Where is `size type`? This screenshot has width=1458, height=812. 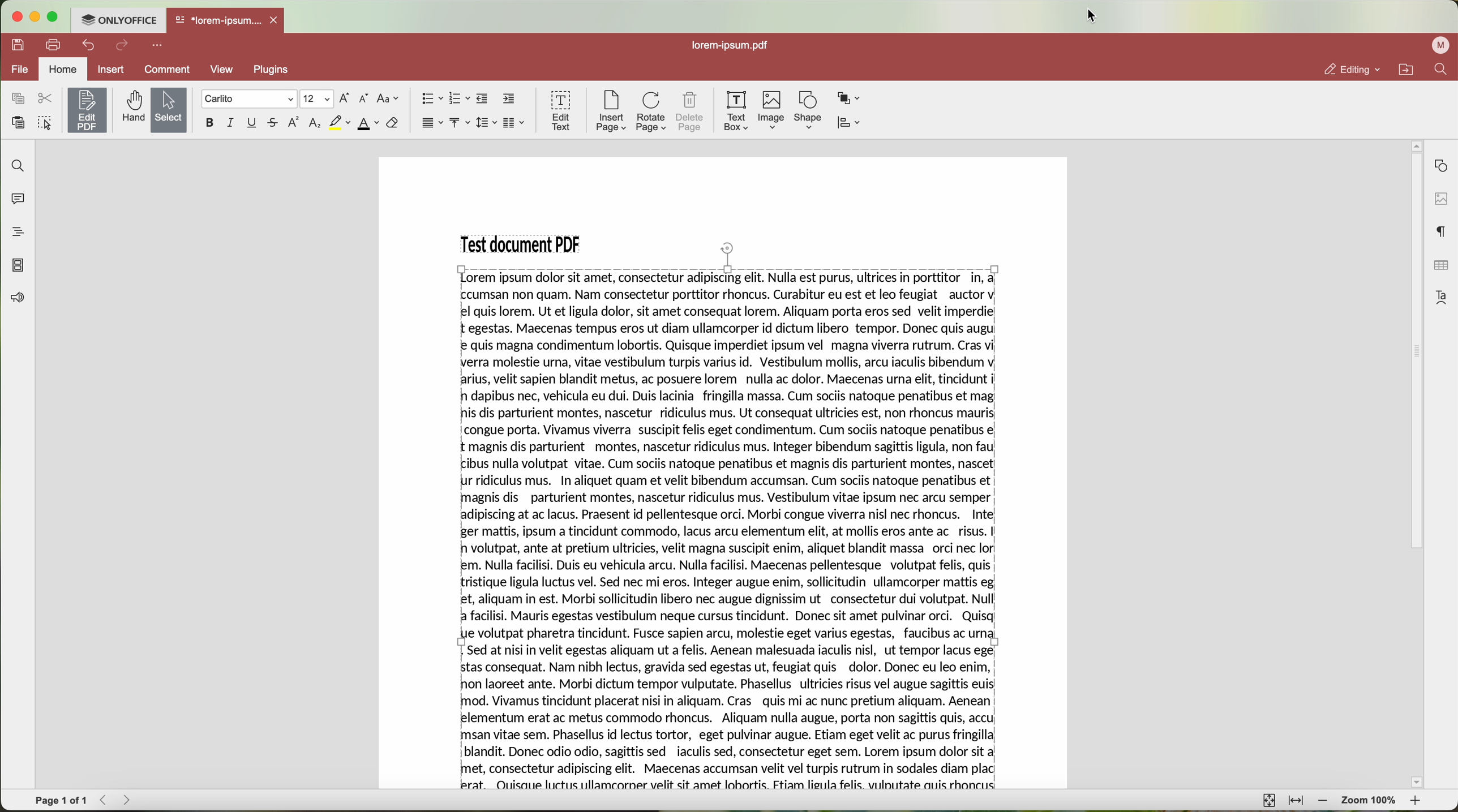 size type is located at coordinates (316, 98).